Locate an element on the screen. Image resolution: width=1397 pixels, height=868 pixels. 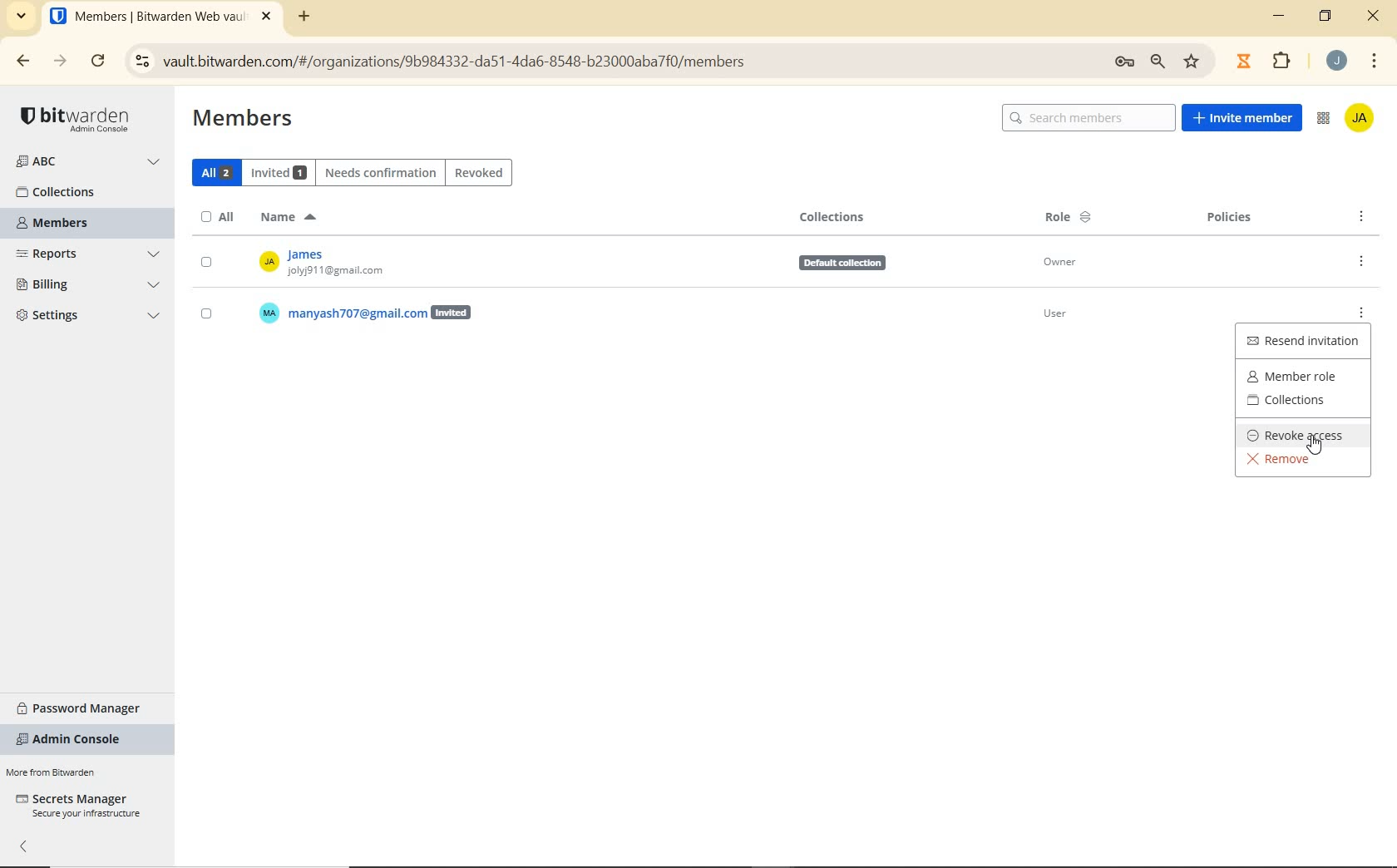
User is located at coordinates (1073, 317).